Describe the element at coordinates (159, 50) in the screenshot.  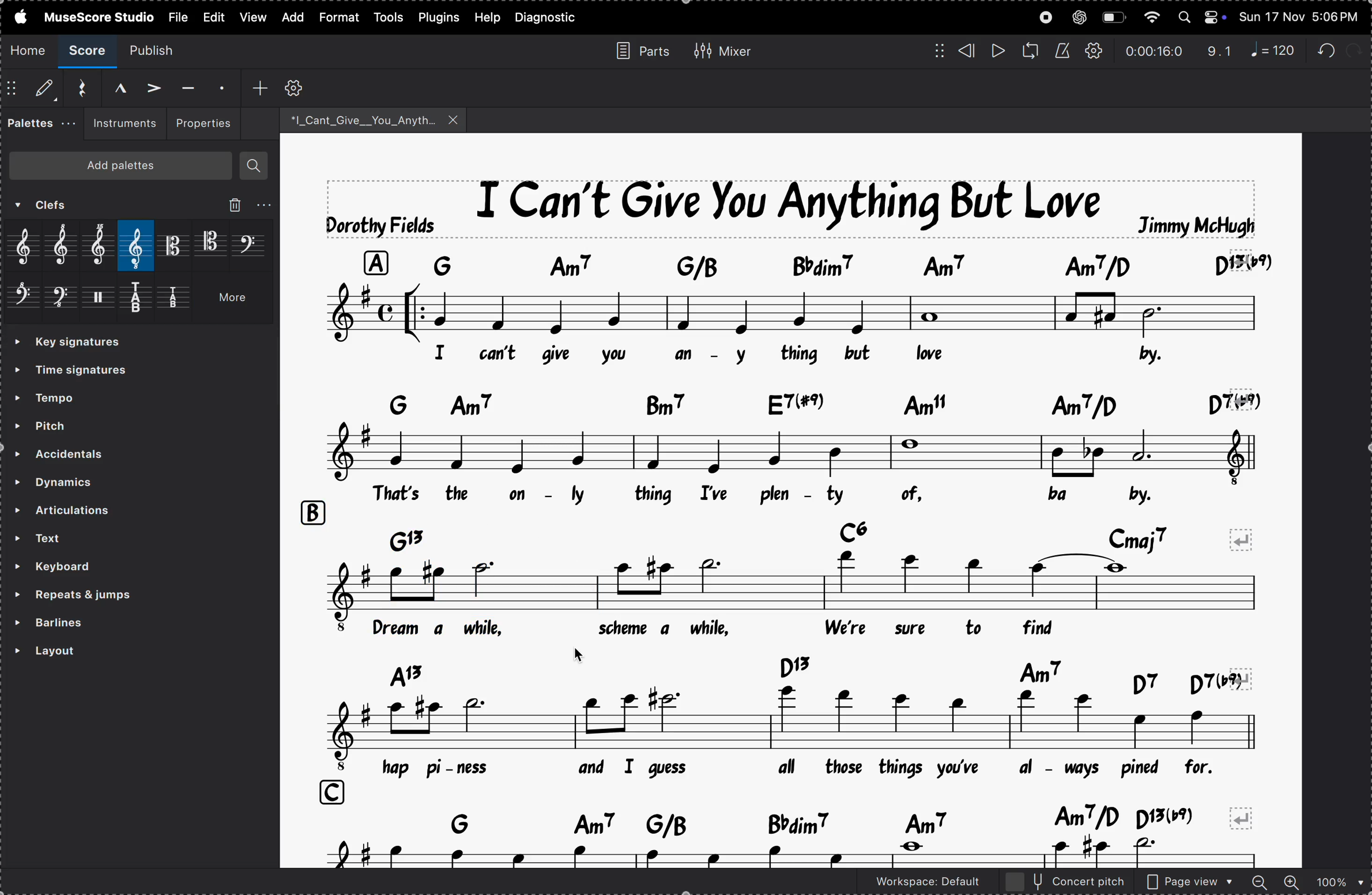
I see `publish` at that location.